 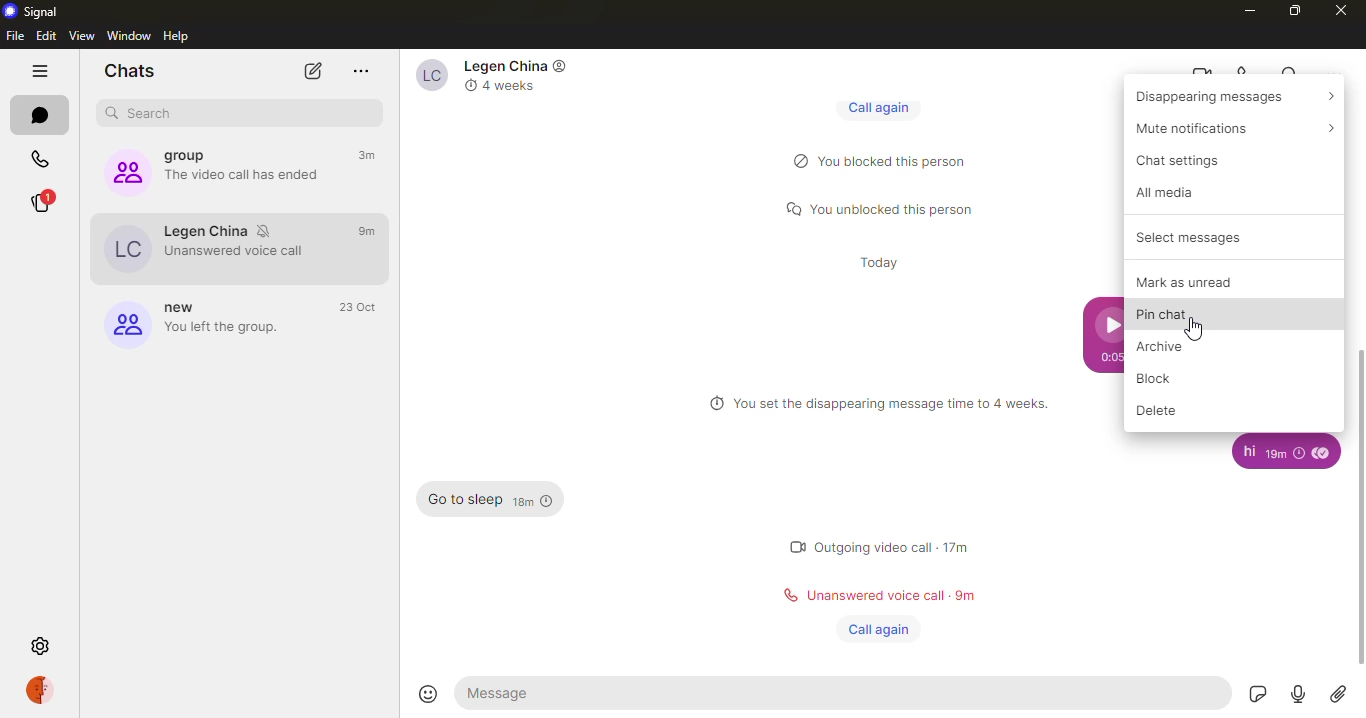 What do you see at coordinates (462, 500) in the screenshot?
I see `message` at bounding box center [462, 500].